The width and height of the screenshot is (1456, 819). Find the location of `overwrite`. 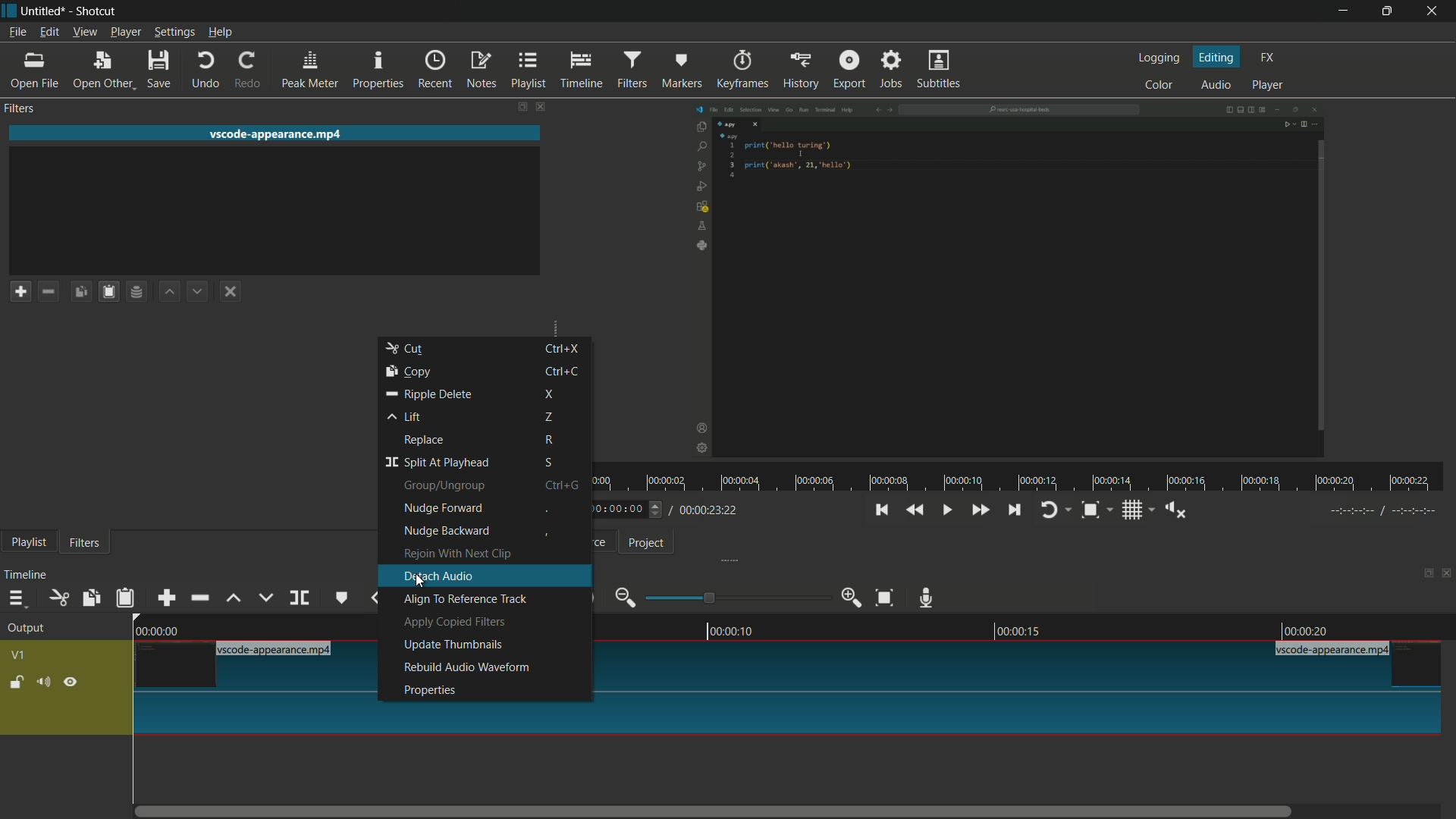

overwrite is located at coordinates (265, 598).